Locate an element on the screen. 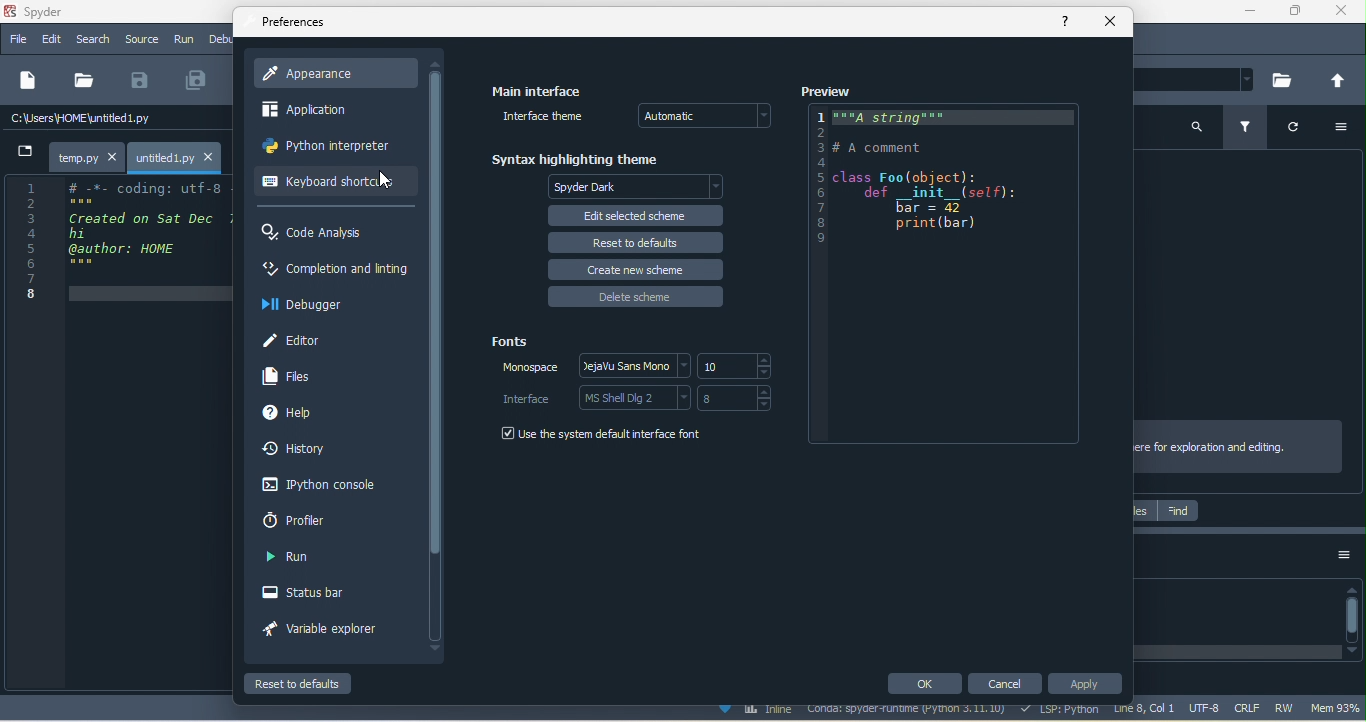  main interface is located at coordinates (538, 88).